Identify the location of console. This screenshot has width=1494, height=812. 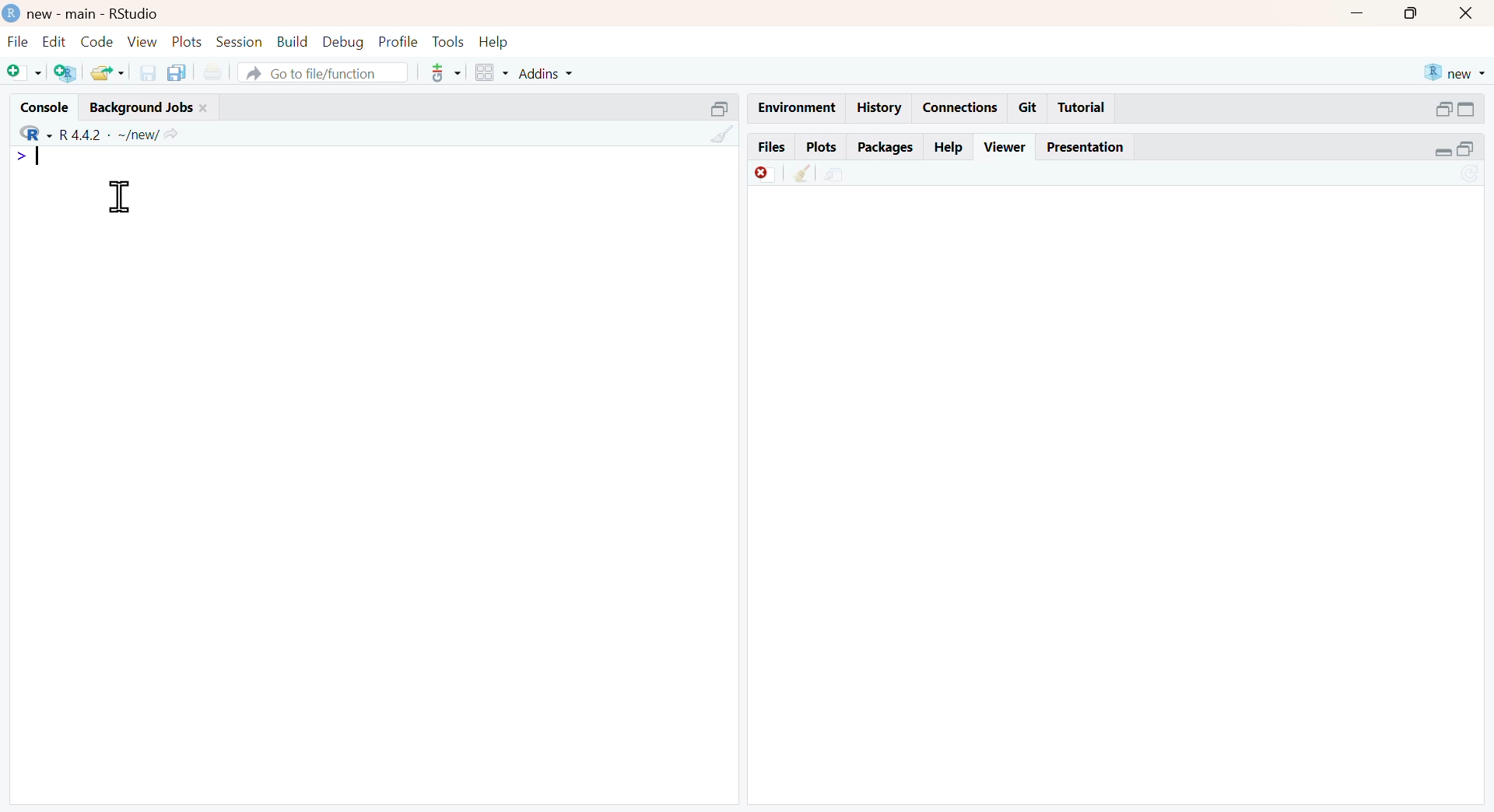
(45, 107).